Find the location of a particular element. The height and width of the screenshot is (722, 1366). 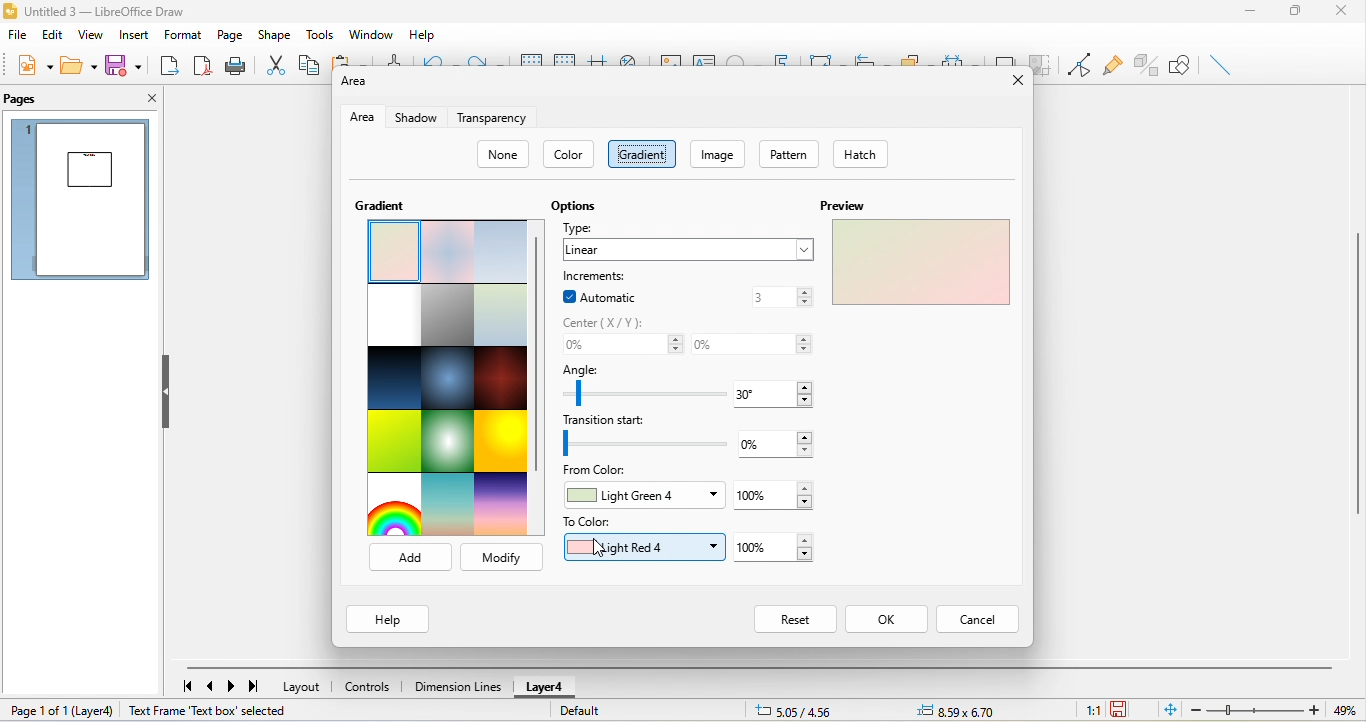

vertical scroll bar is located at coordinates (540, 359).